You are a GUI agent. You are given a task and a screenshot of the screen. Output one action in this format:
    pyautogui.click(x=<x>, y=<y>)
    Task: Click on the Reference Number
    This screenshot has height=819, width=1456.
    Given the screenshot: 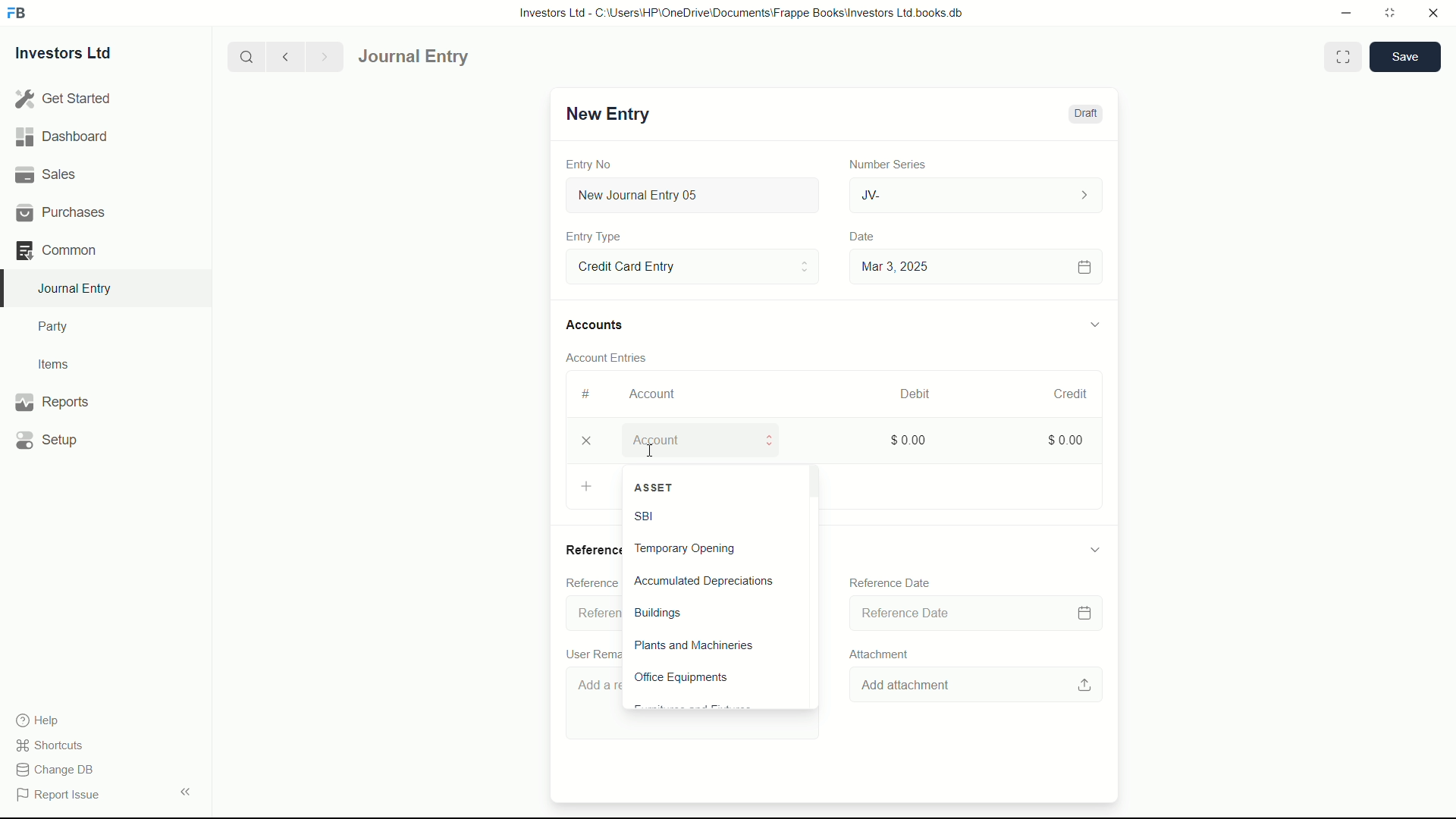 What is the action you would take?
    pyautogui.click(x=591, y=613)
    